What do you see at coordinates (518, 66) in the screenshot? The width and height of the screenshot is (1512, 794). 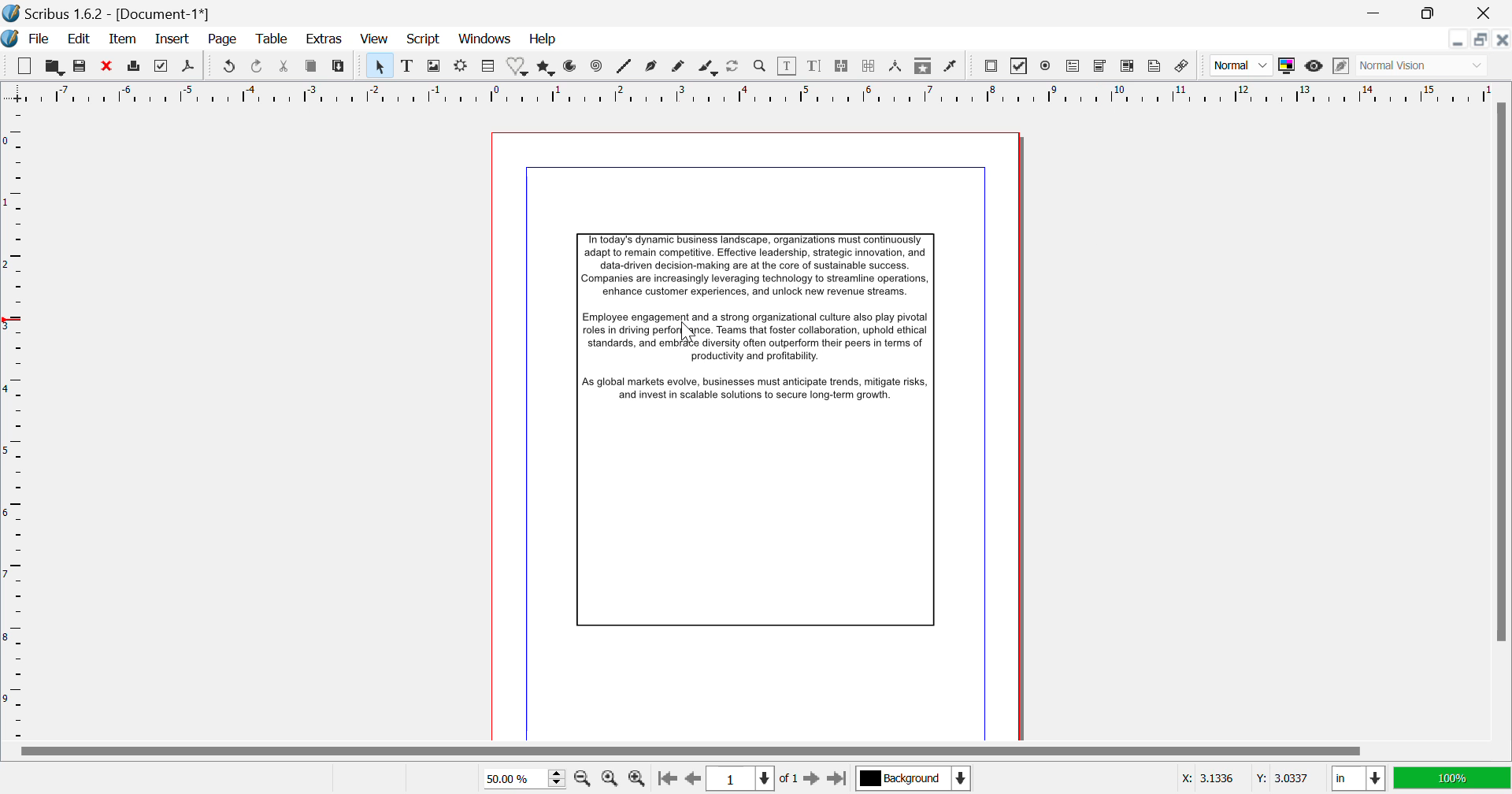 I see `Shapes` at bounding box center [518, 66].